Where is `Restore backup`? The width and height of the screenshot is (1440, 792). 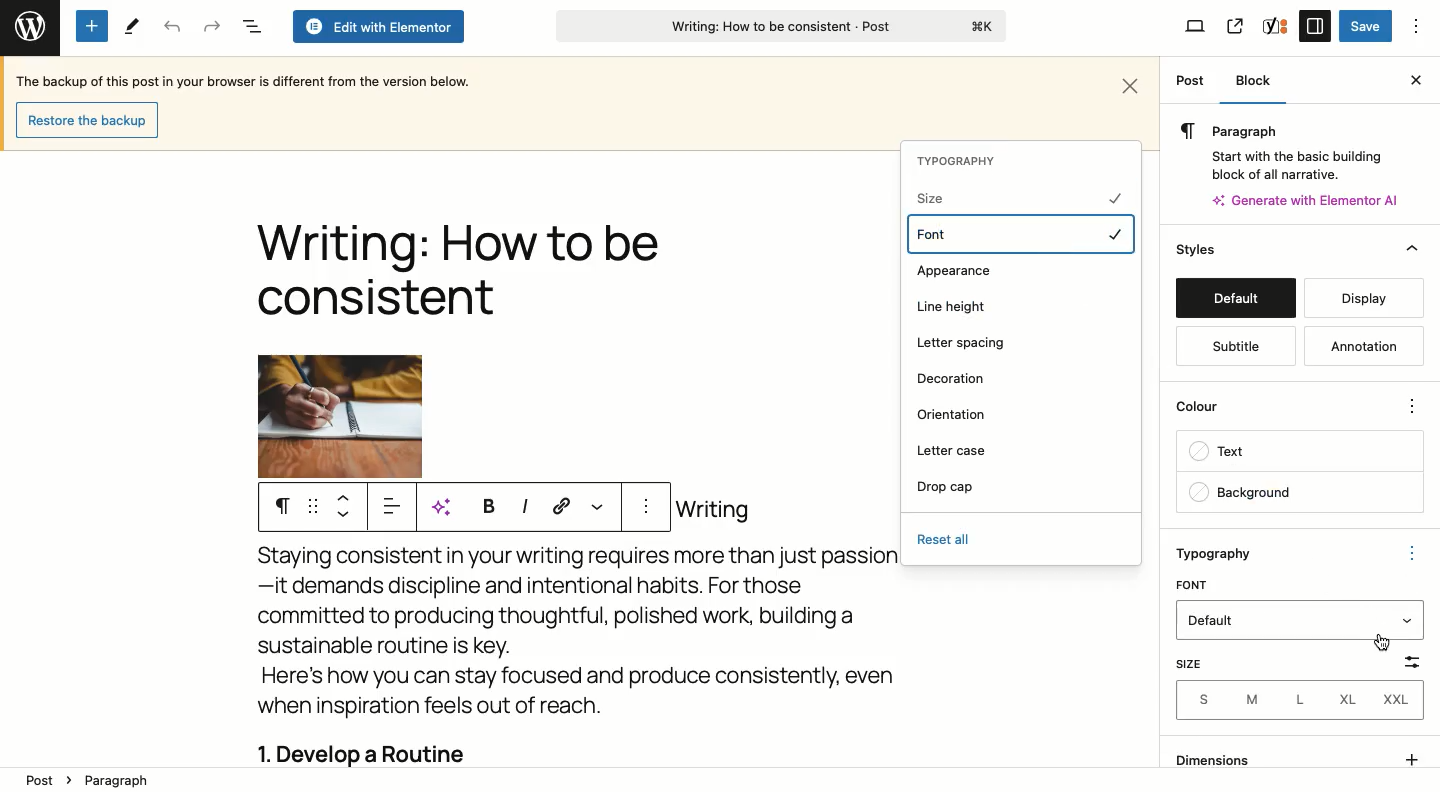 Restore backup is located at coordinates (85, 119).